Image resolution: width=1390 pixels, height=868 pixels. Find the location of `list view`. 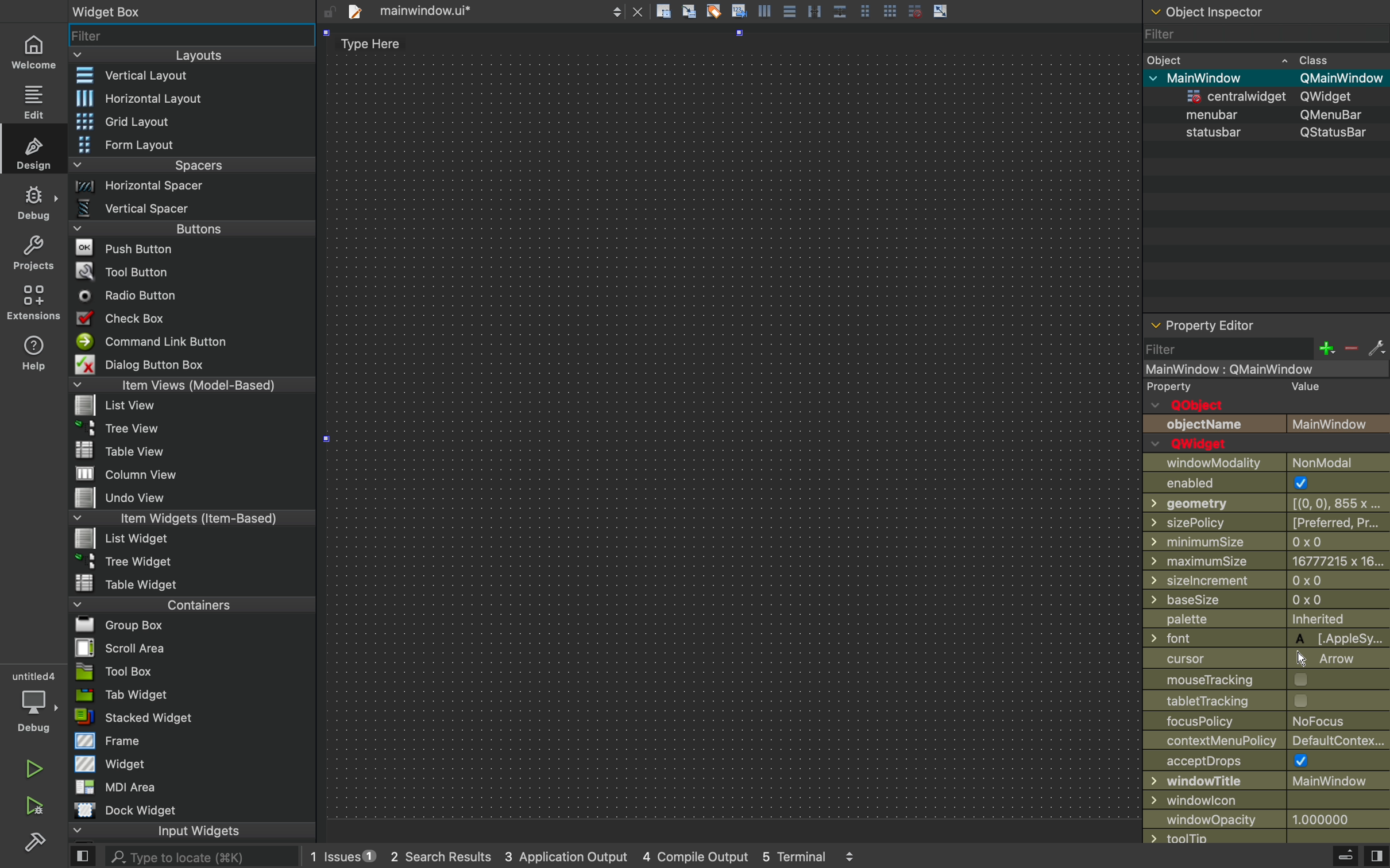

list view is located at coordinates (189, 405).